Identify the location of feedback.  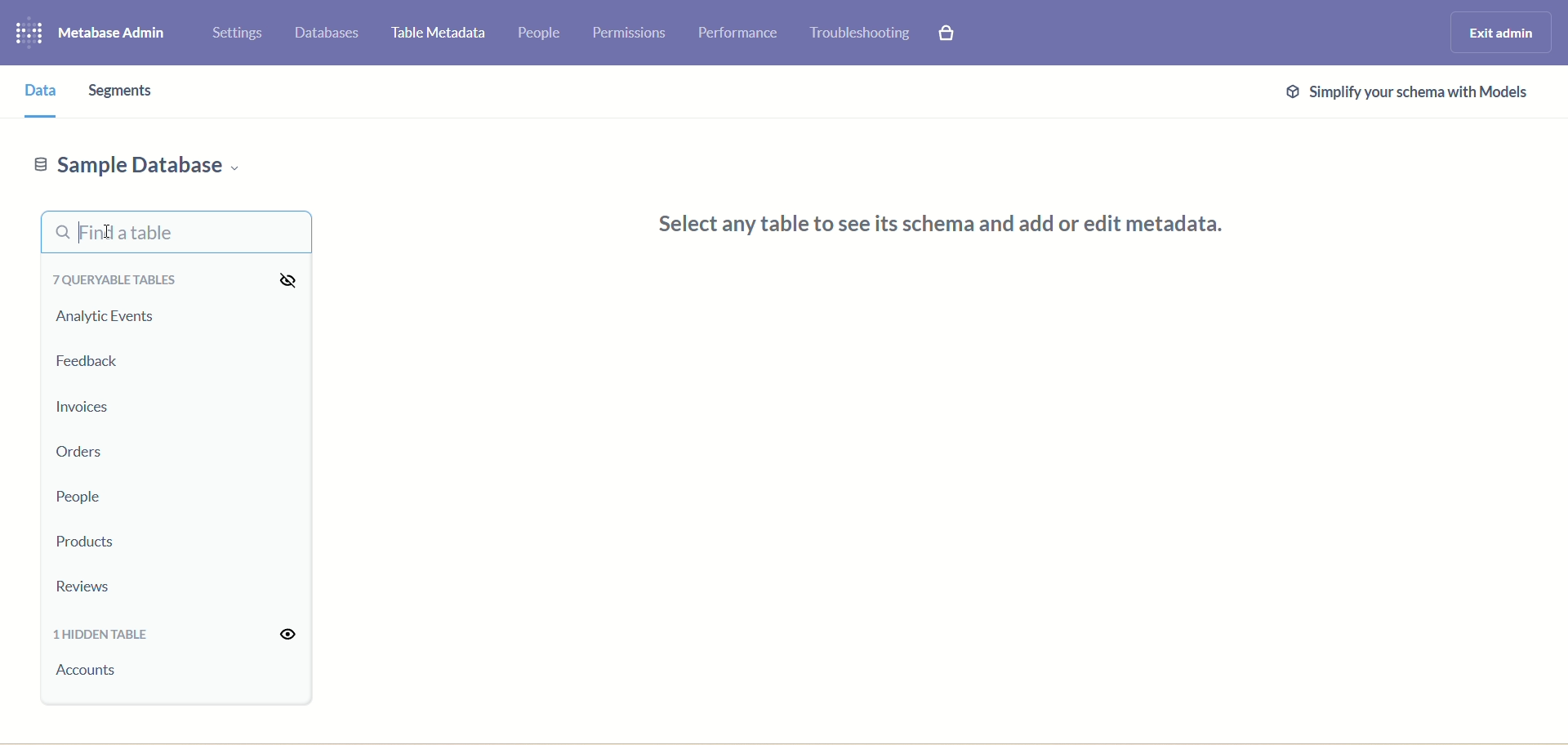
(89, 363).